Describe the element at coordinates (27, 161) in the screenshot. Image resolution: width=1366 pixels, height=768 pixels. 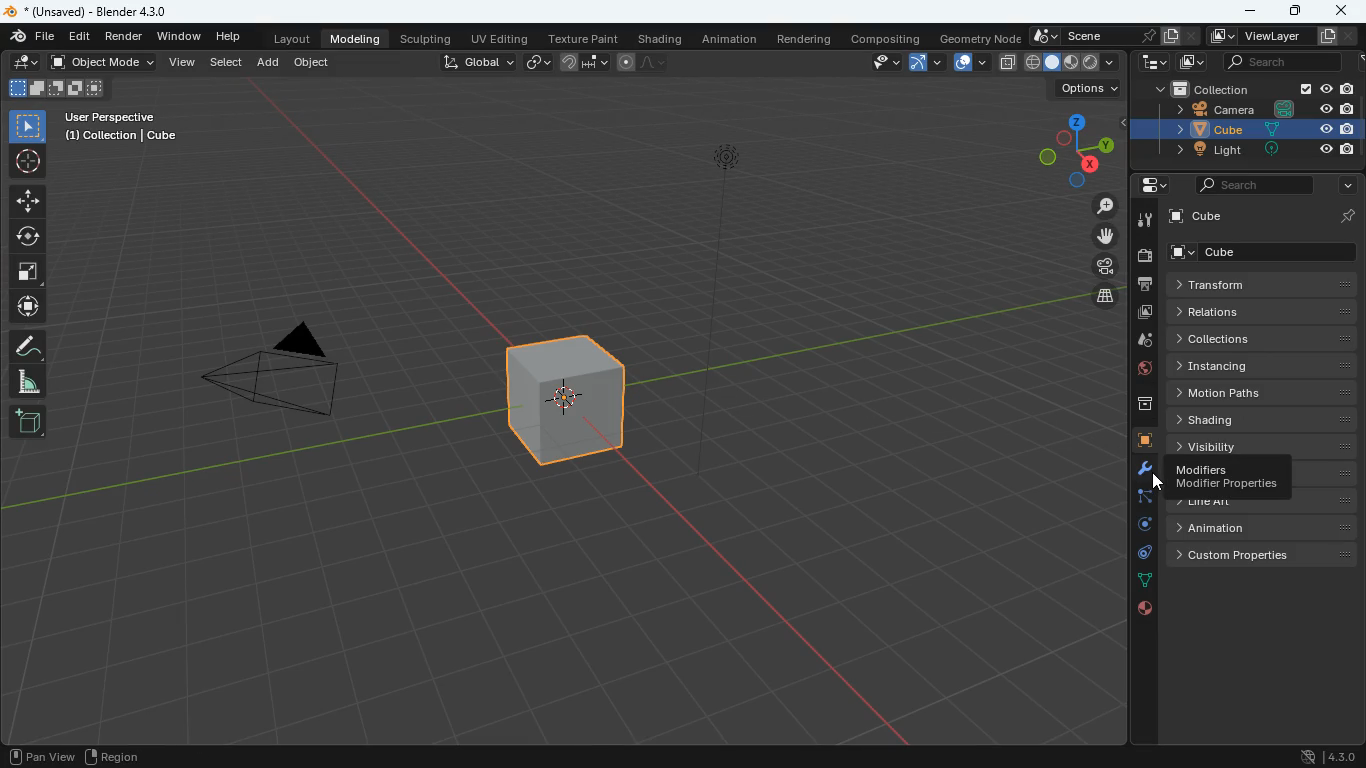
I see `aim` at that location.